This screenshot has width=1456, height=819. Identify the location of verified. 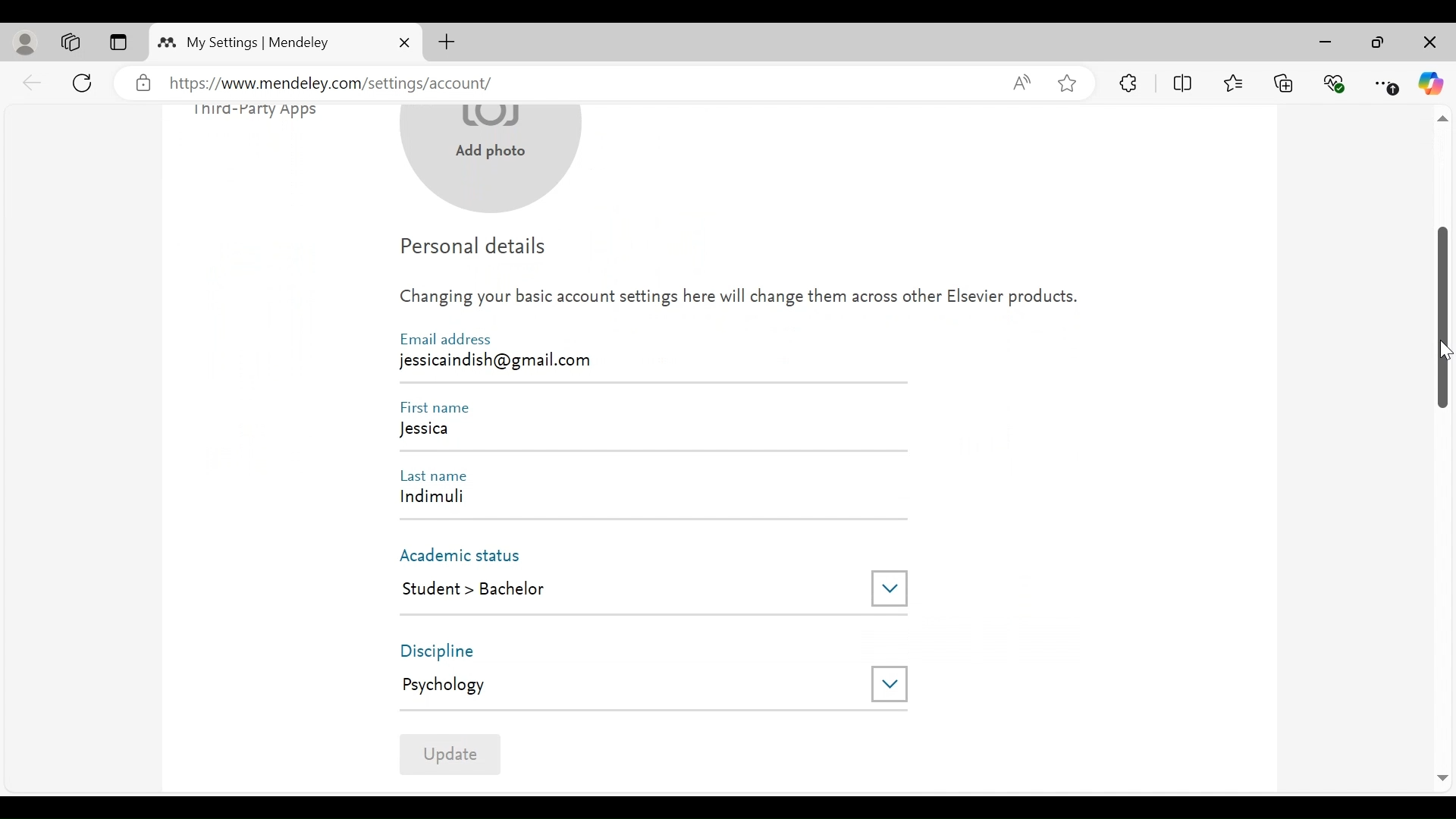
(143, 83).